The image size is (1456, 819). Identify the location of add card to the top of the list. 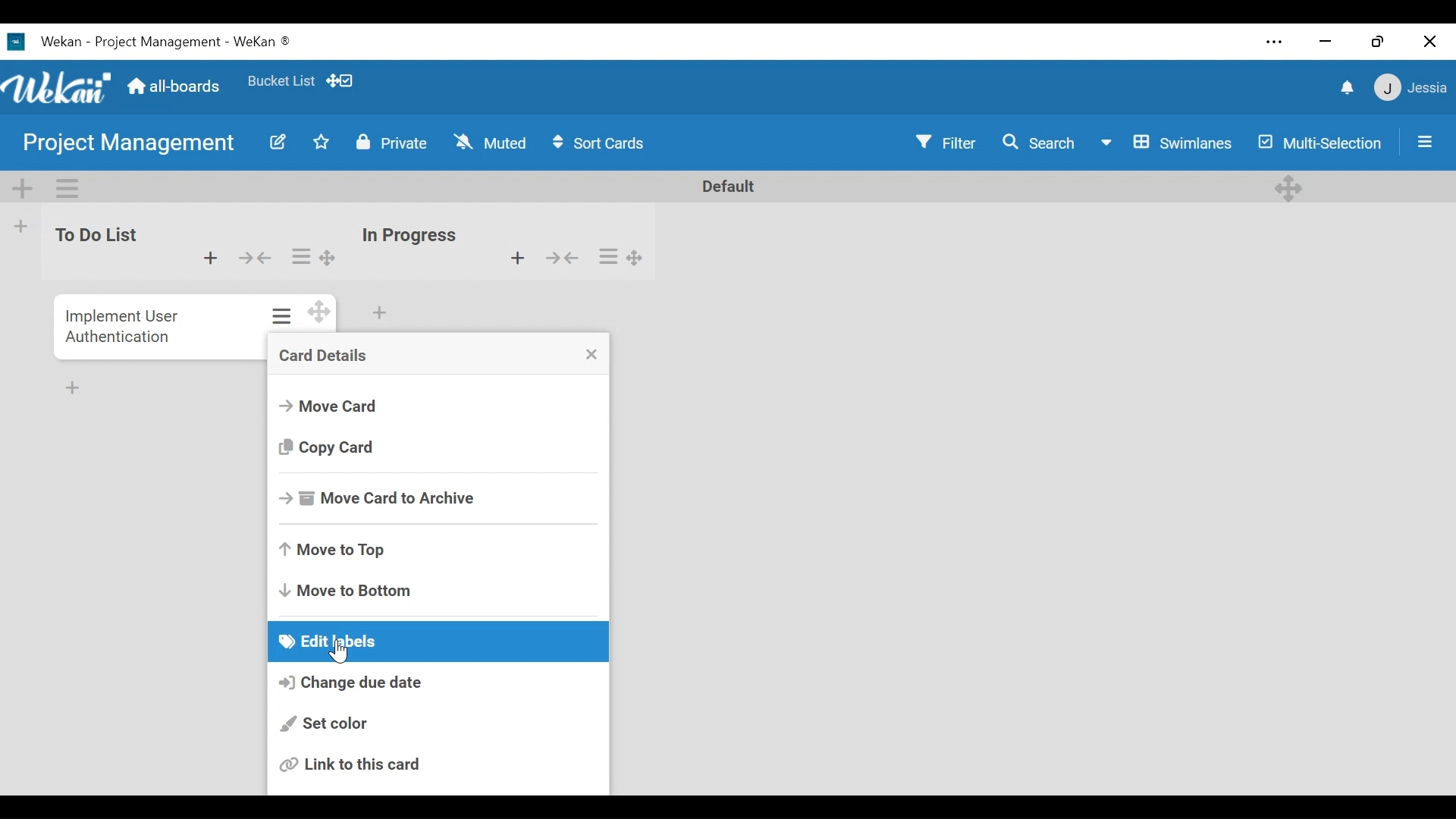
(209, 259).